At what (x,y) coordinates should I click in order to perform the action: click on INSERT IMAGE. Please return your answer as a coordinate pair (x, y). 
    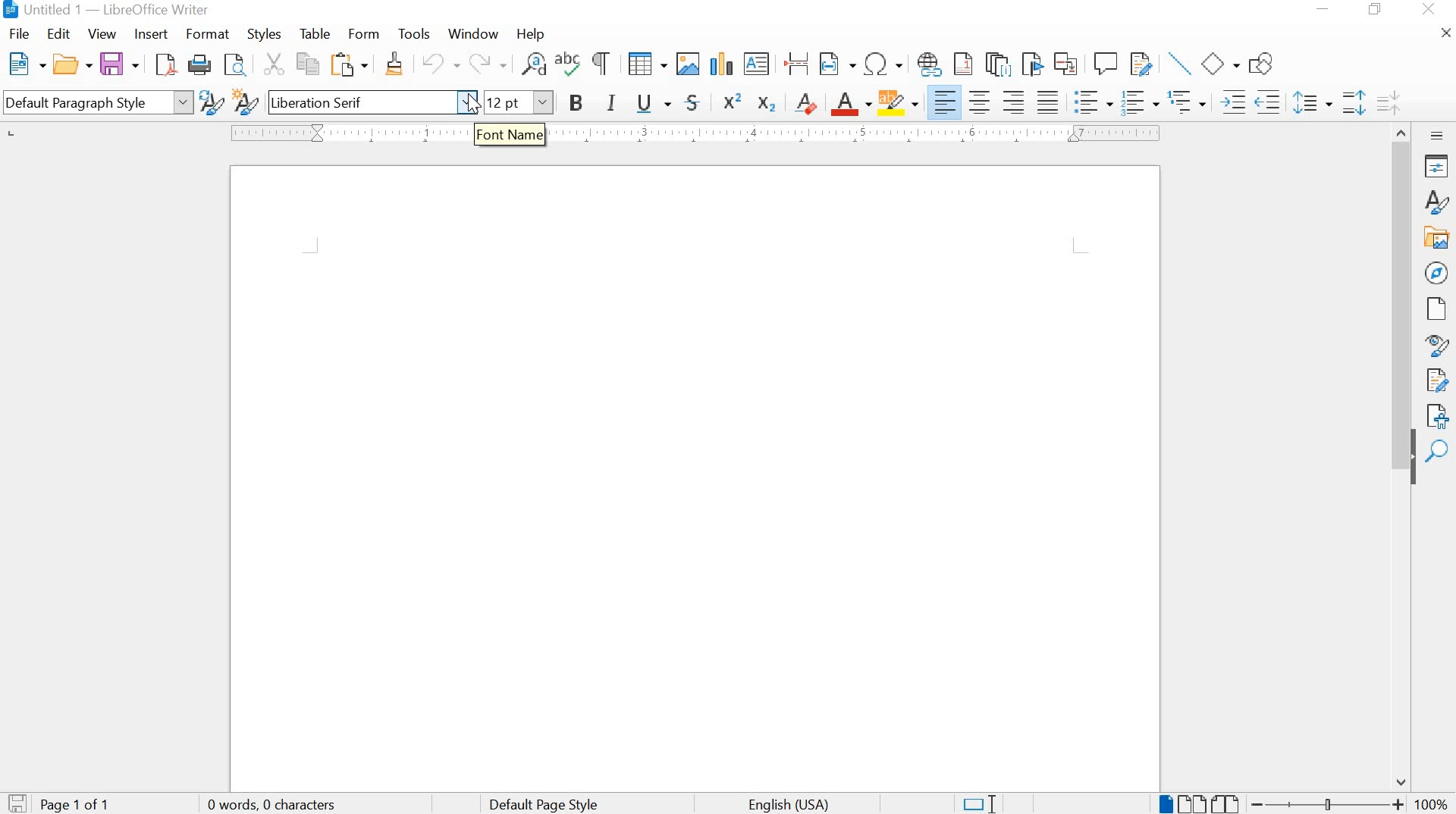
    Looking at the image, I should click on (686, 64).